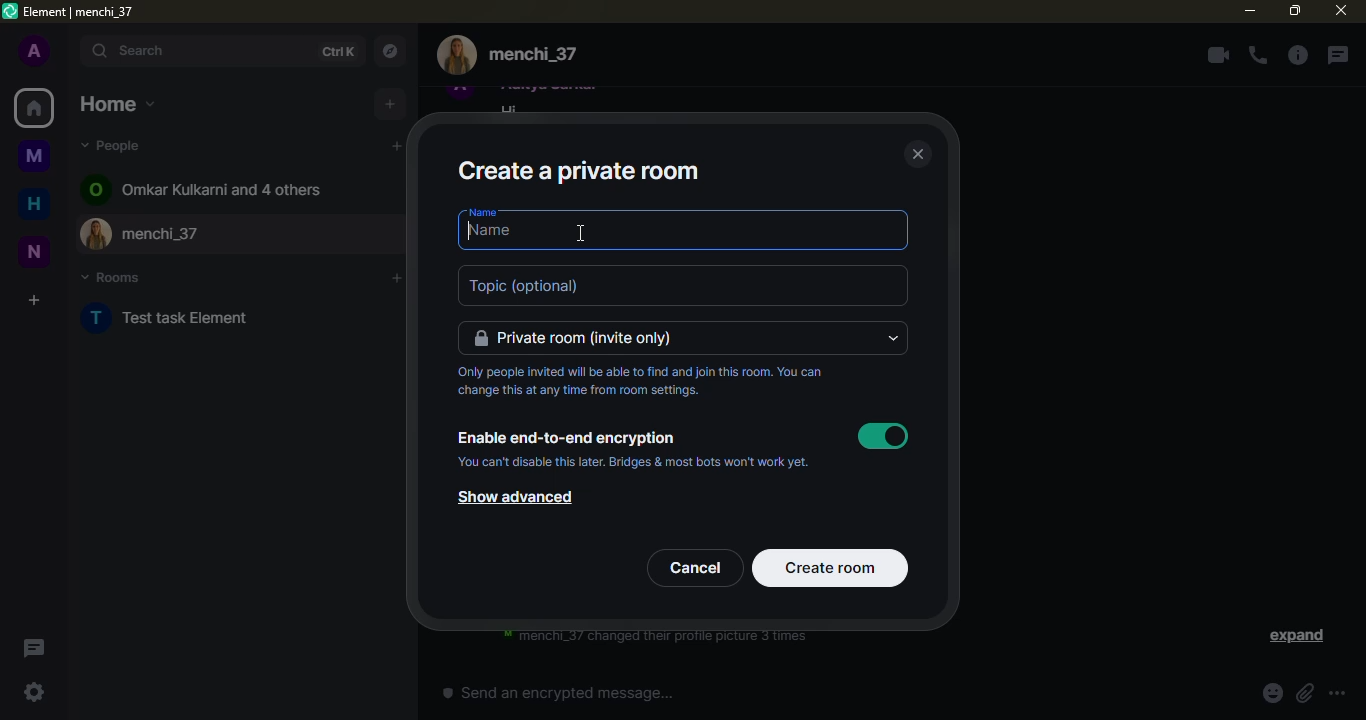  I want to click on ‘You can't disable this later. Bridges & most bots won't work yet., so click(633, 462).